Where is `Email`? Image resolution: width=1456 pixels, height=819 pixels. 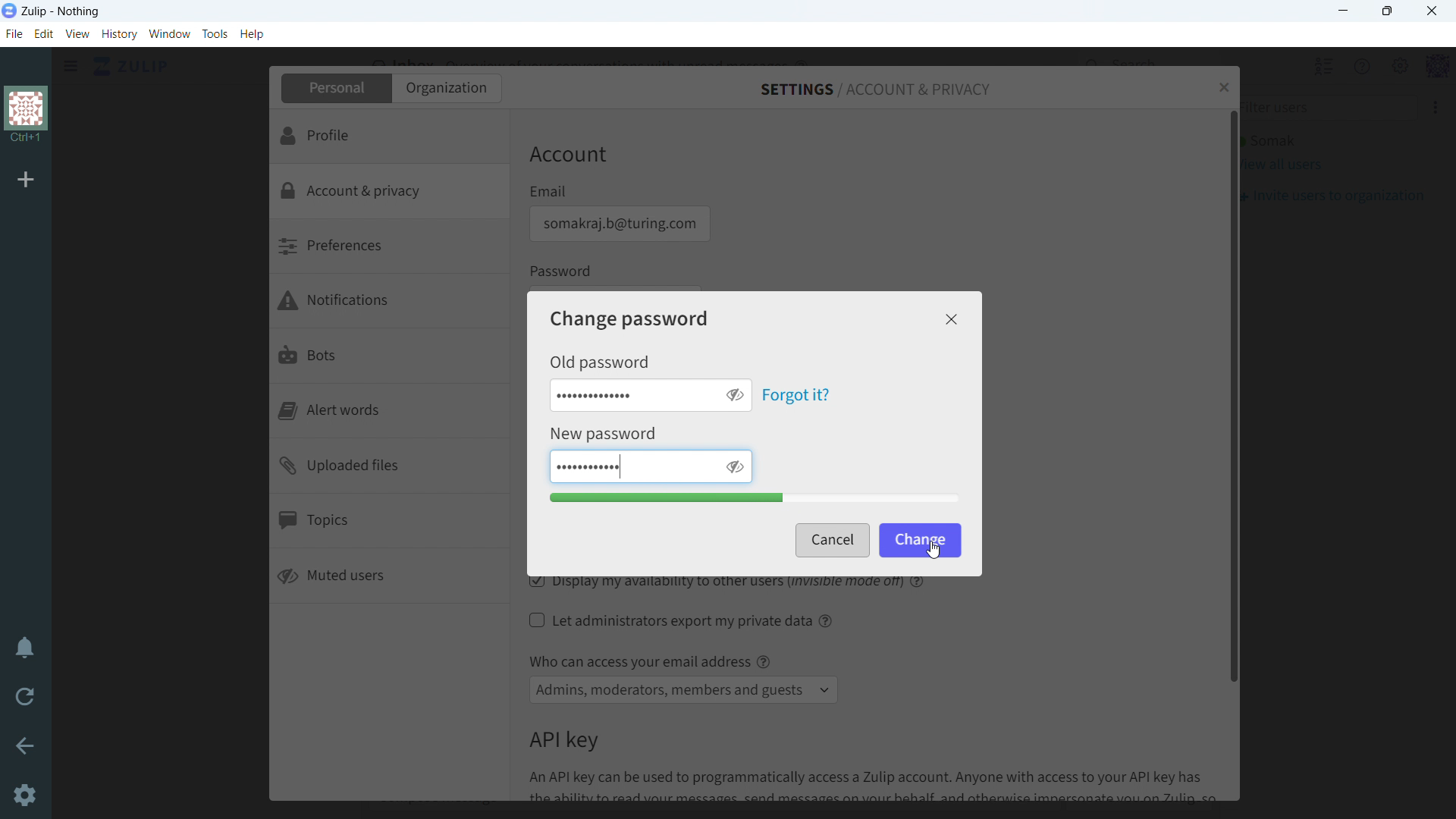
Email is located at coordinates (549, 191).